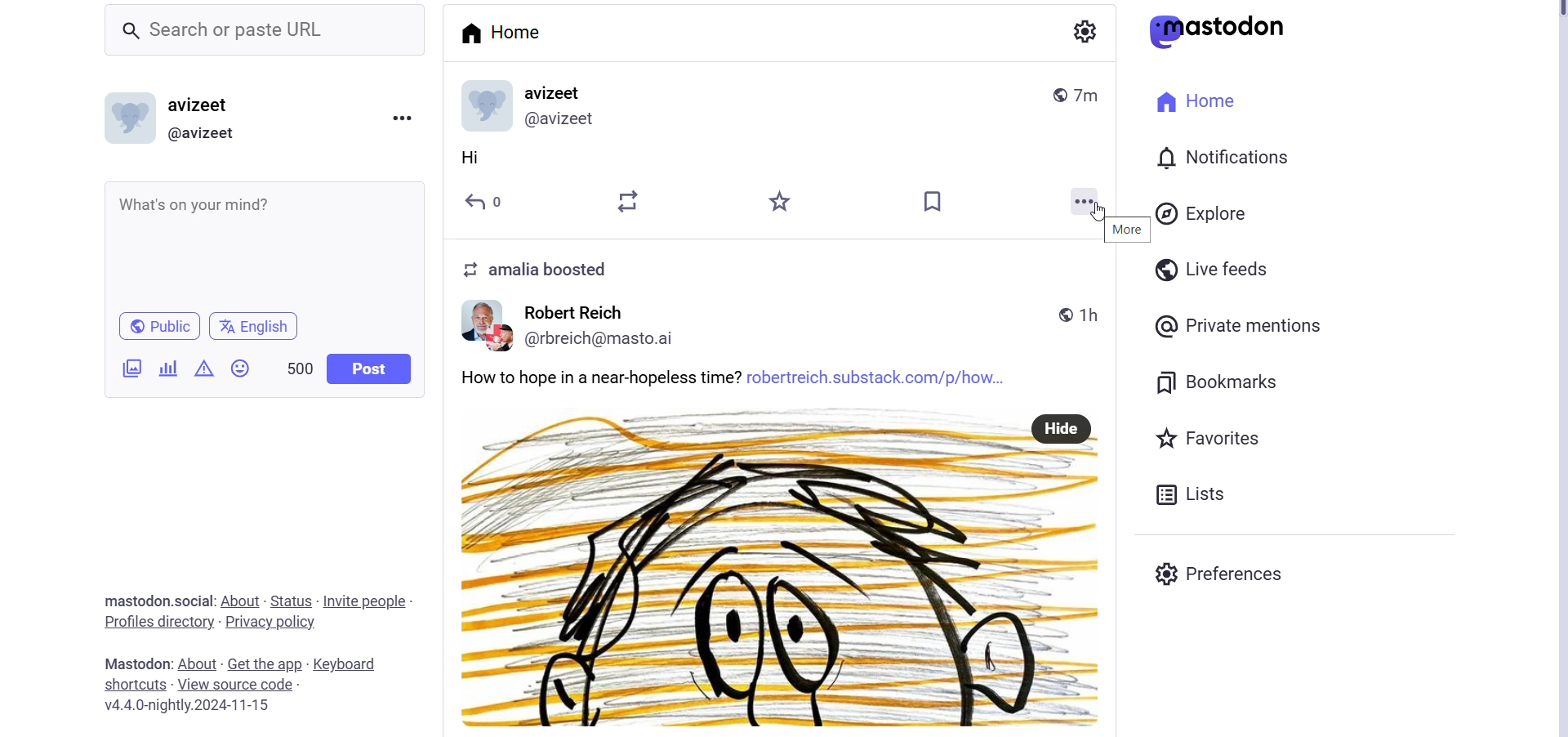 The width and height of the screenshot is (1568, 737). What do you see at coordinates (783, 159) in the screenshot?
I see `My Post` at bounding box center [783, 159].